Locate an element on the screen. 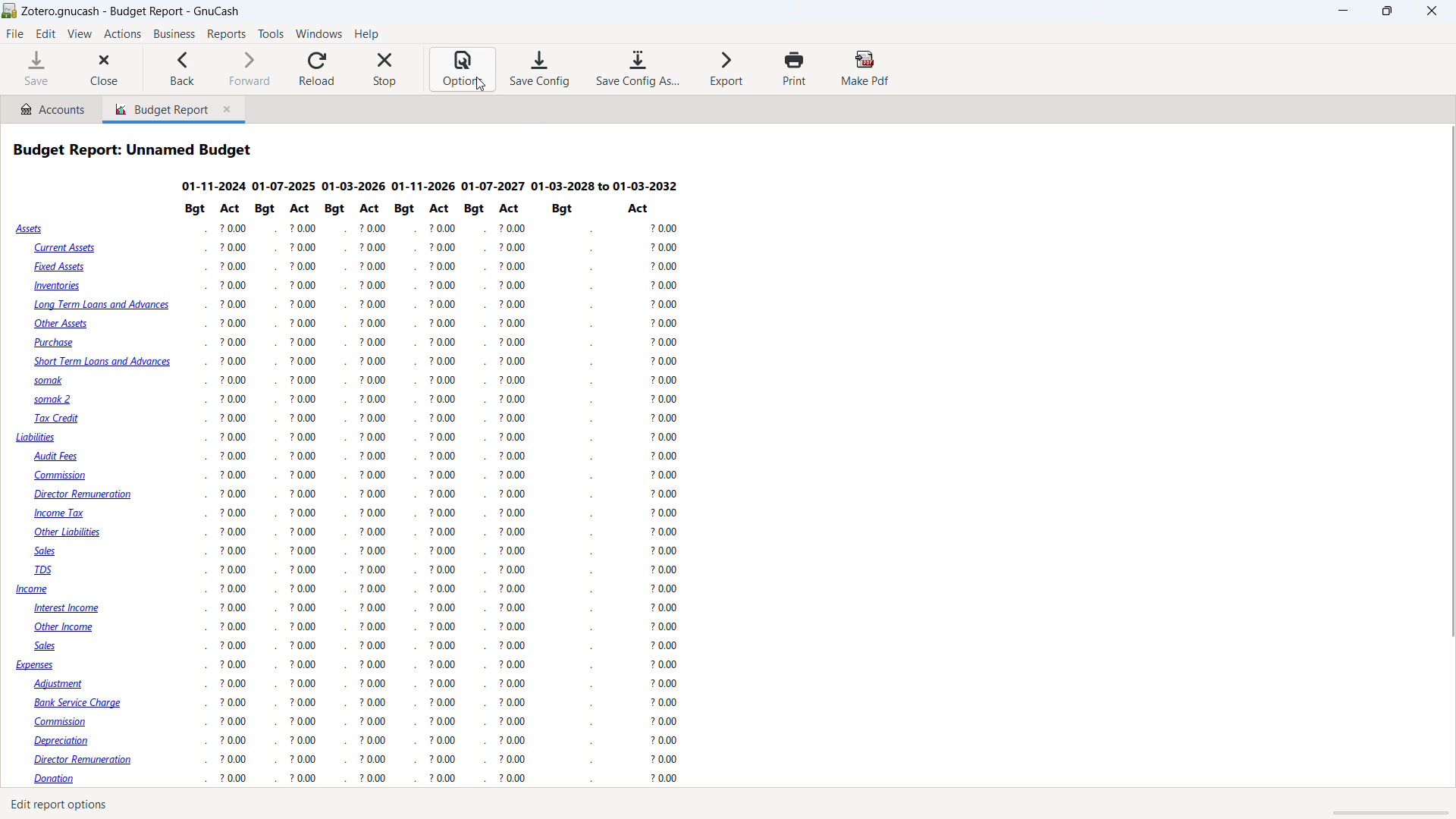 This screenshot has height=819, width=1456. Director Remuneration is located at coordinates (84, 495).